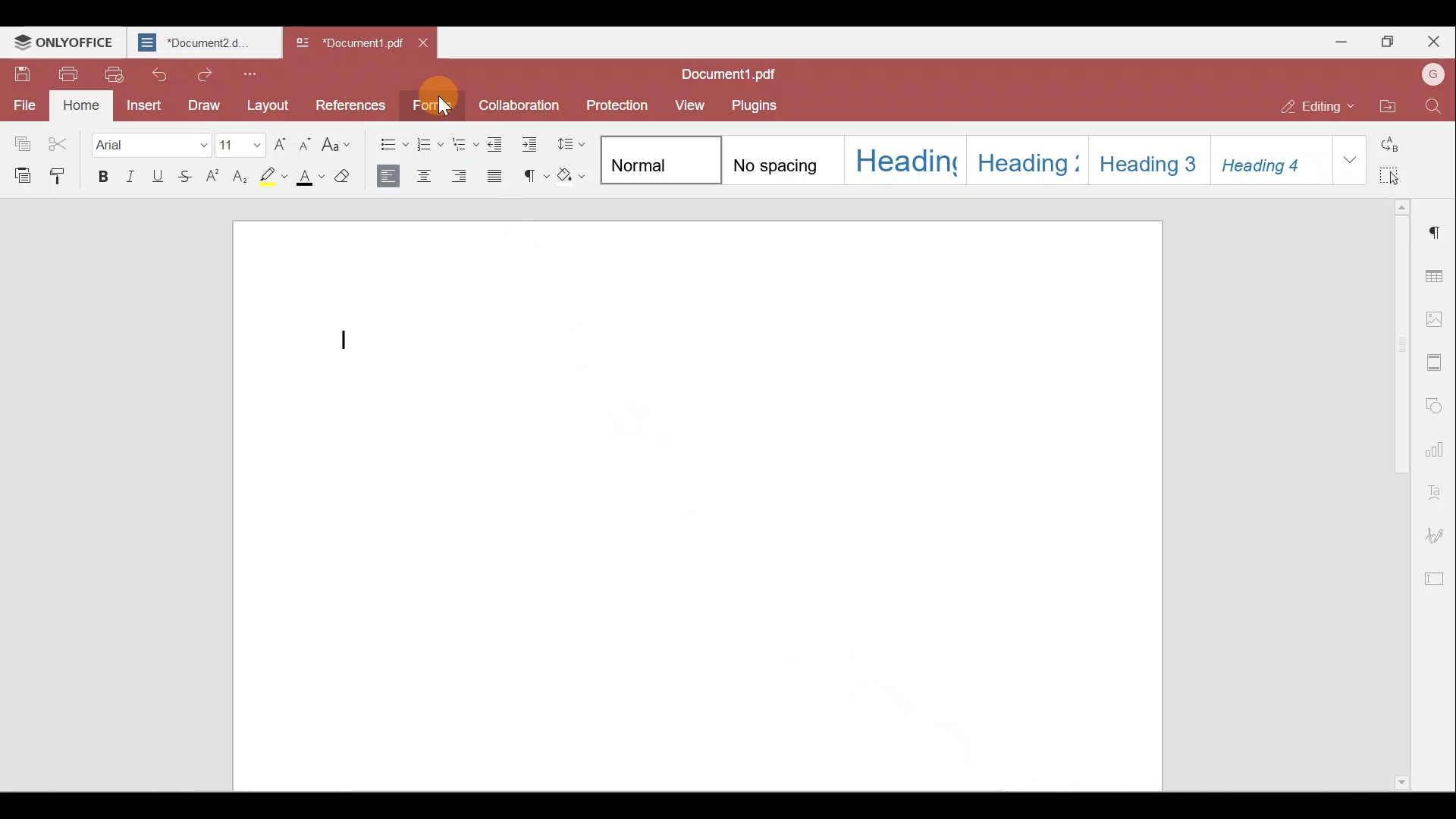  What do you see at coordinates (61, 178) in the screenshot?
I see `Copy style` at bounding box center [61, 178].